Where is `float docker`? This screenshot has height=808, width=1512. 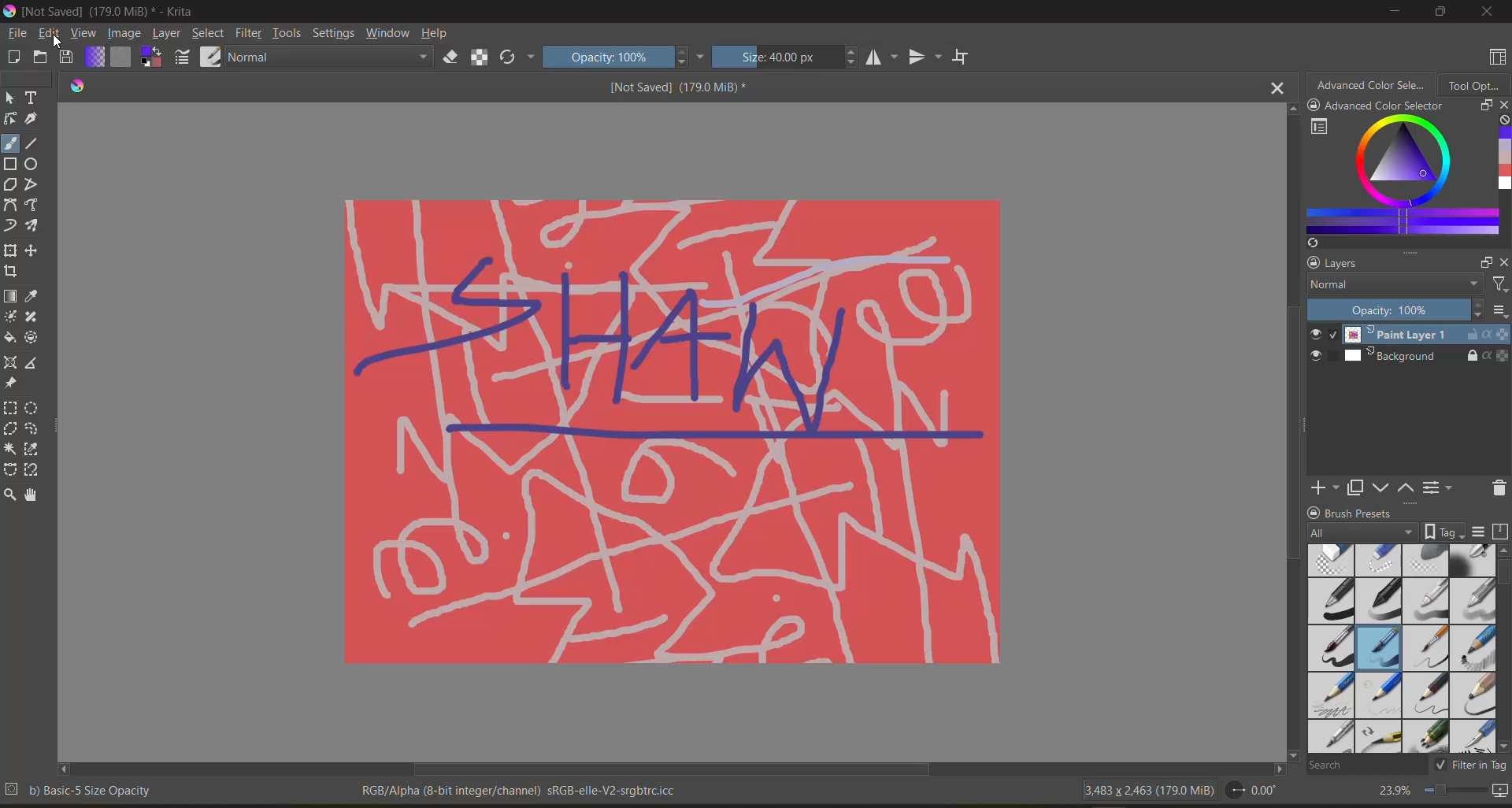 float docker is located at coordinates (1482, 106).